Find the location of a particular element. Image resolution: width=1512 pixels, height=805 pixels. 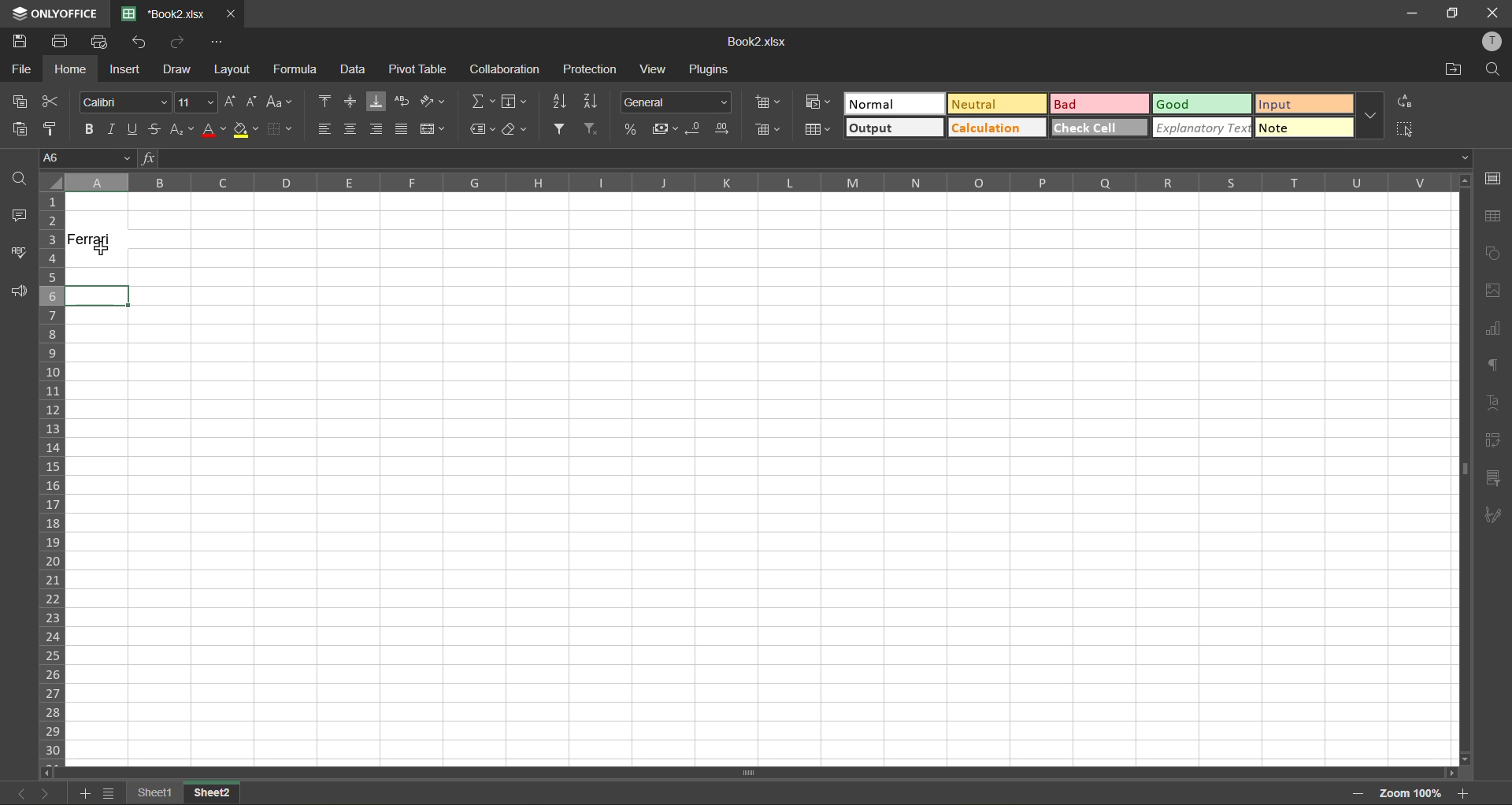

increment size is located at coordinates (232, 101).